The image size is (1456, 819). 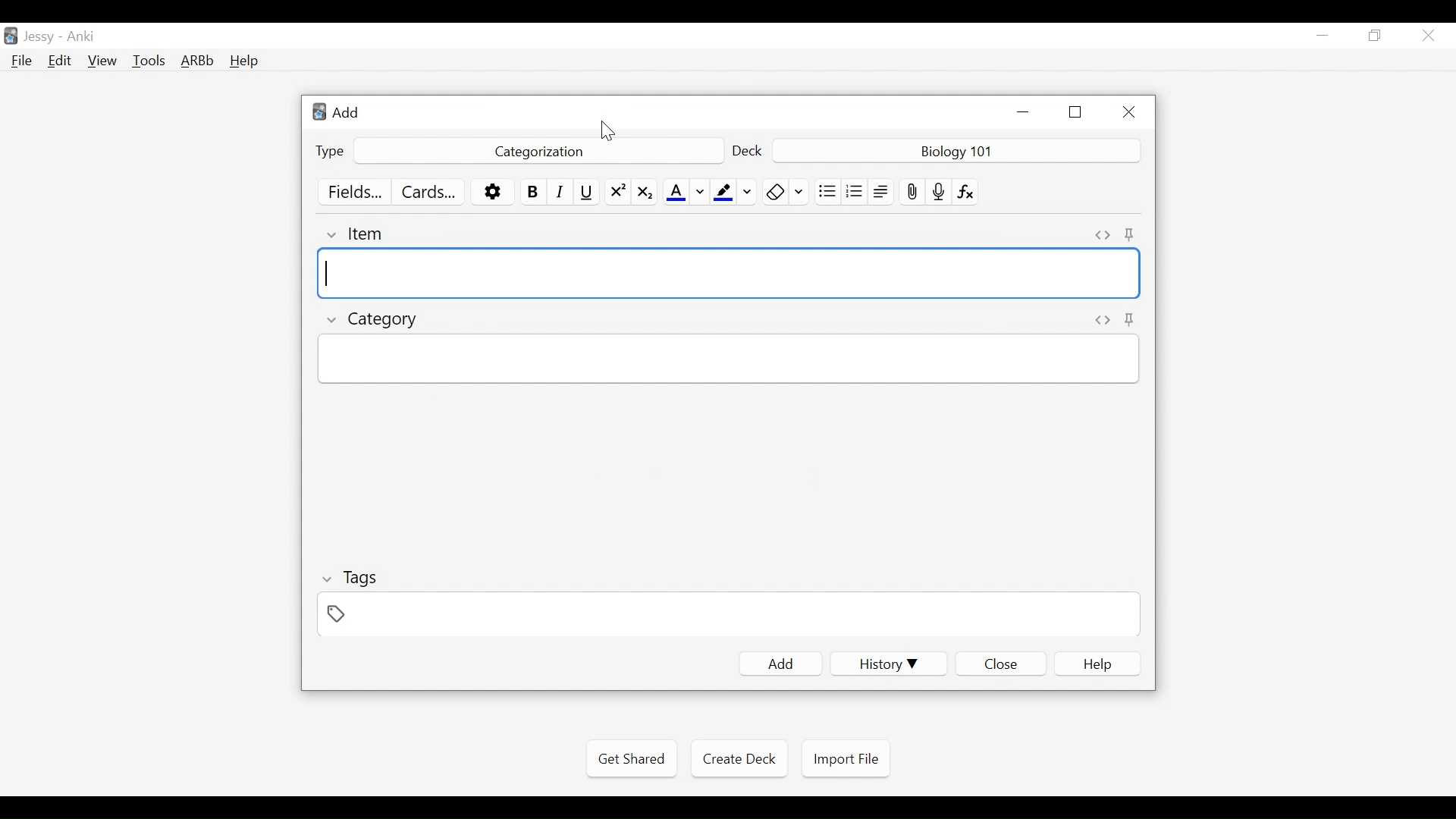 I want to click on Get Shared, so click(x=631, y=759).